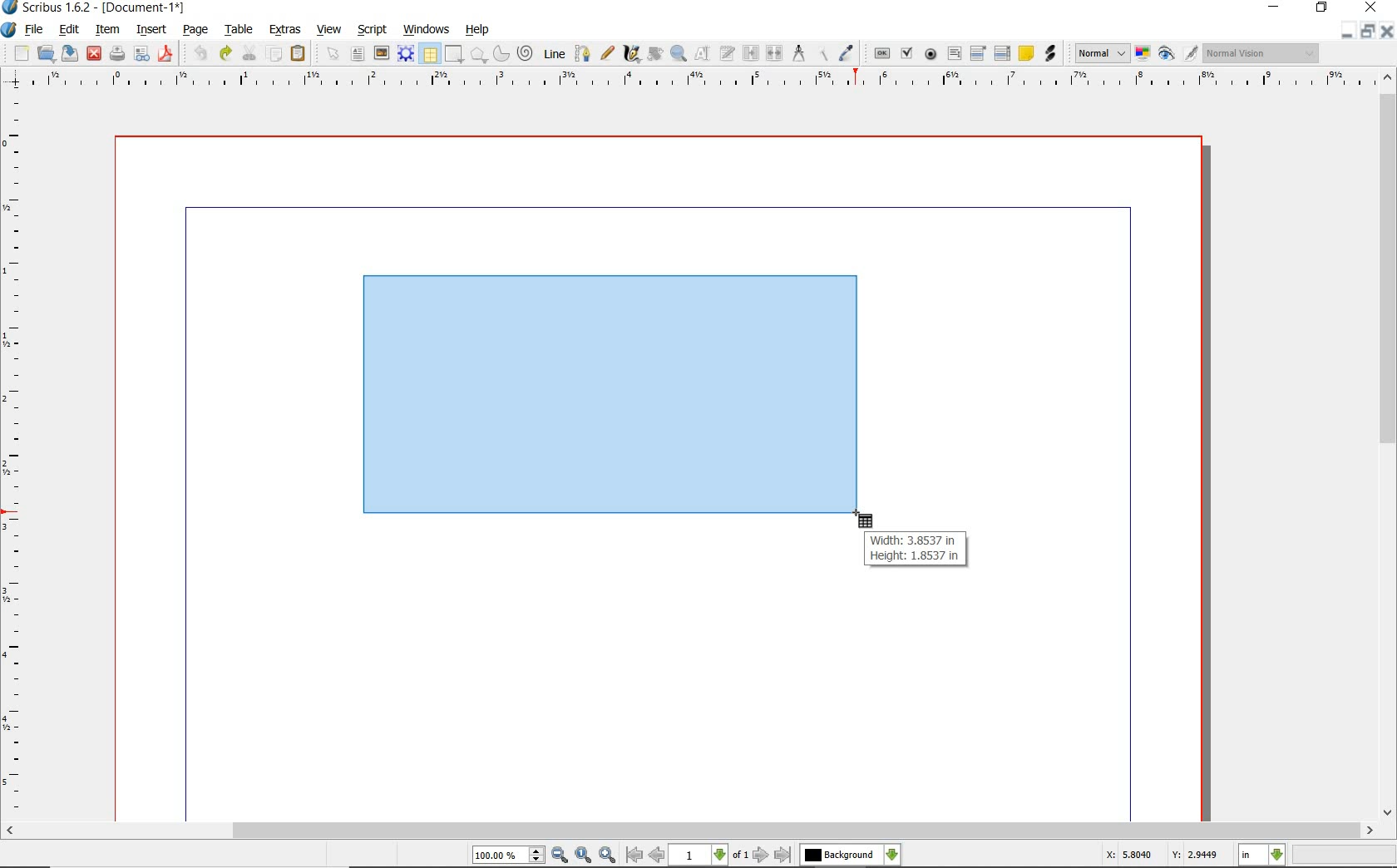 The image size is (1397, 868). I want to click on text frame, so click(358, 56).